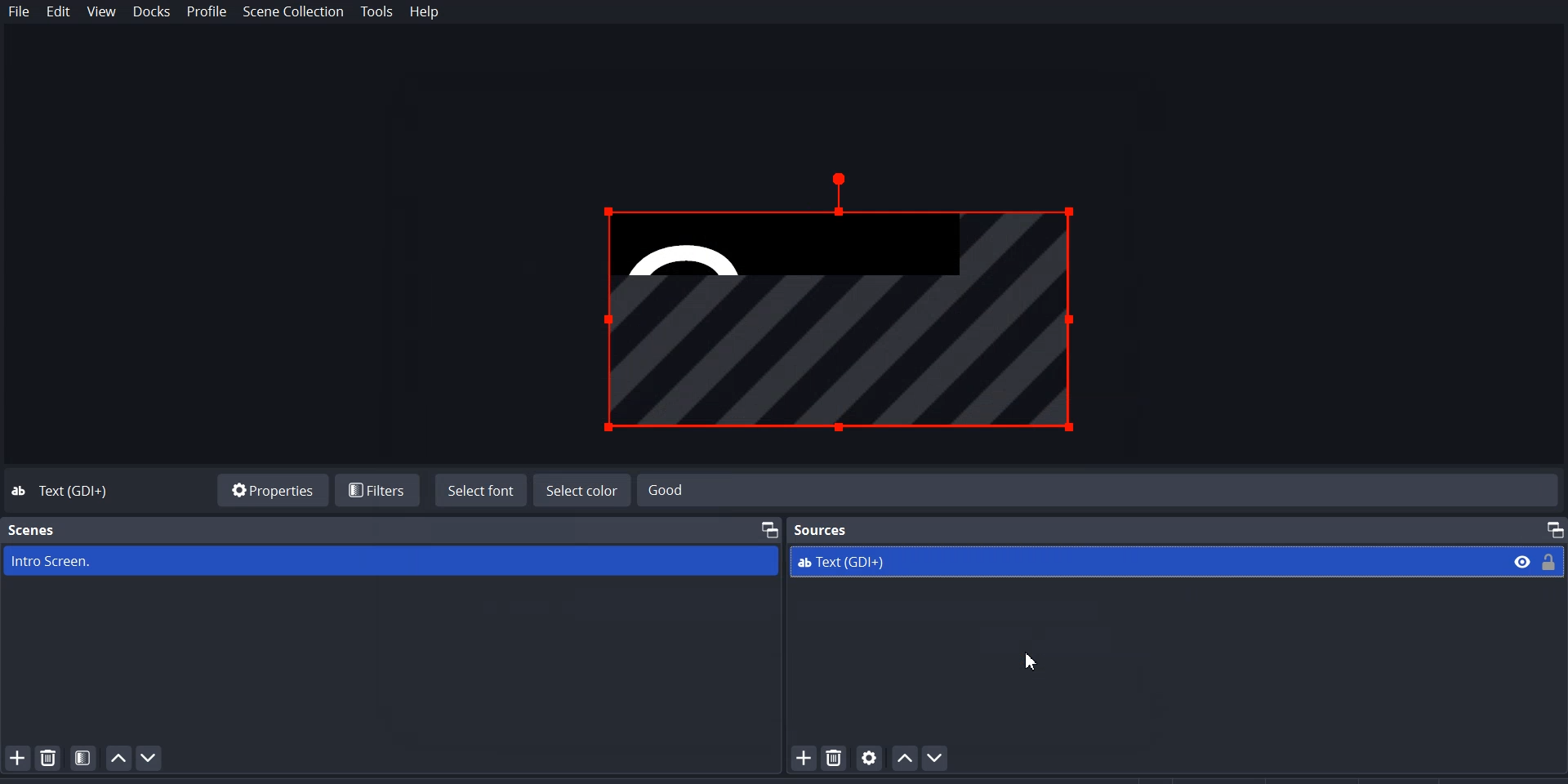 The image size is (1568, 784). I want to click on View, so click(102, 12).